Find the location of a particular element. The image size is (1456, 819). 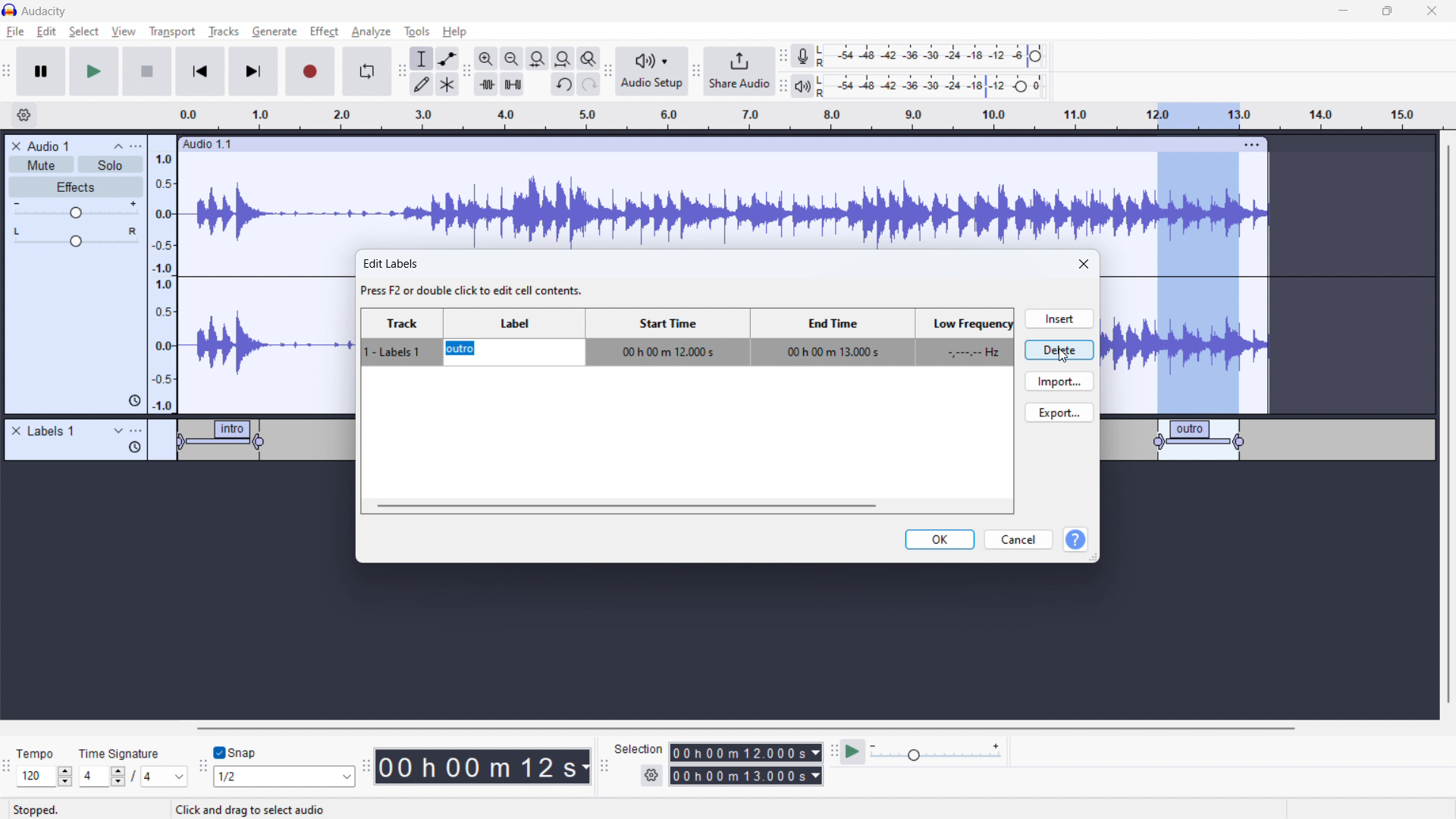

play at speed is located at coordinates (852, 751).